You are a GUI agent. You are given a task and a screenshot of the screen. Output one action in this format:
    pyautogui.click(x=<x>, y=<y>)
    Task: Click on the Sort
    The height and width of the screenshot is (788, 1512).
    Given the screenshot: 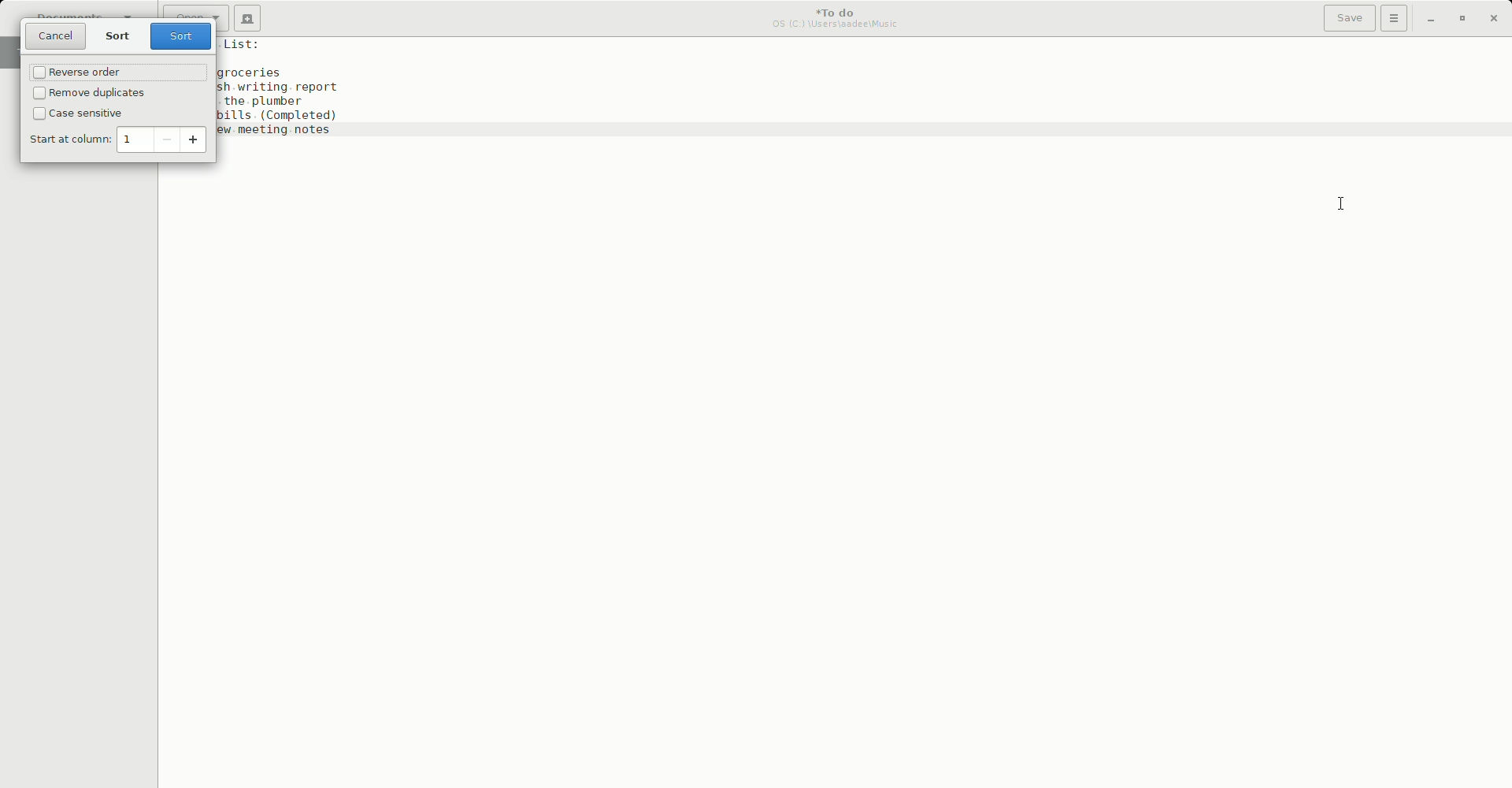 What is the action you would take?
    pyautogui.click(x=118, y=37)
    